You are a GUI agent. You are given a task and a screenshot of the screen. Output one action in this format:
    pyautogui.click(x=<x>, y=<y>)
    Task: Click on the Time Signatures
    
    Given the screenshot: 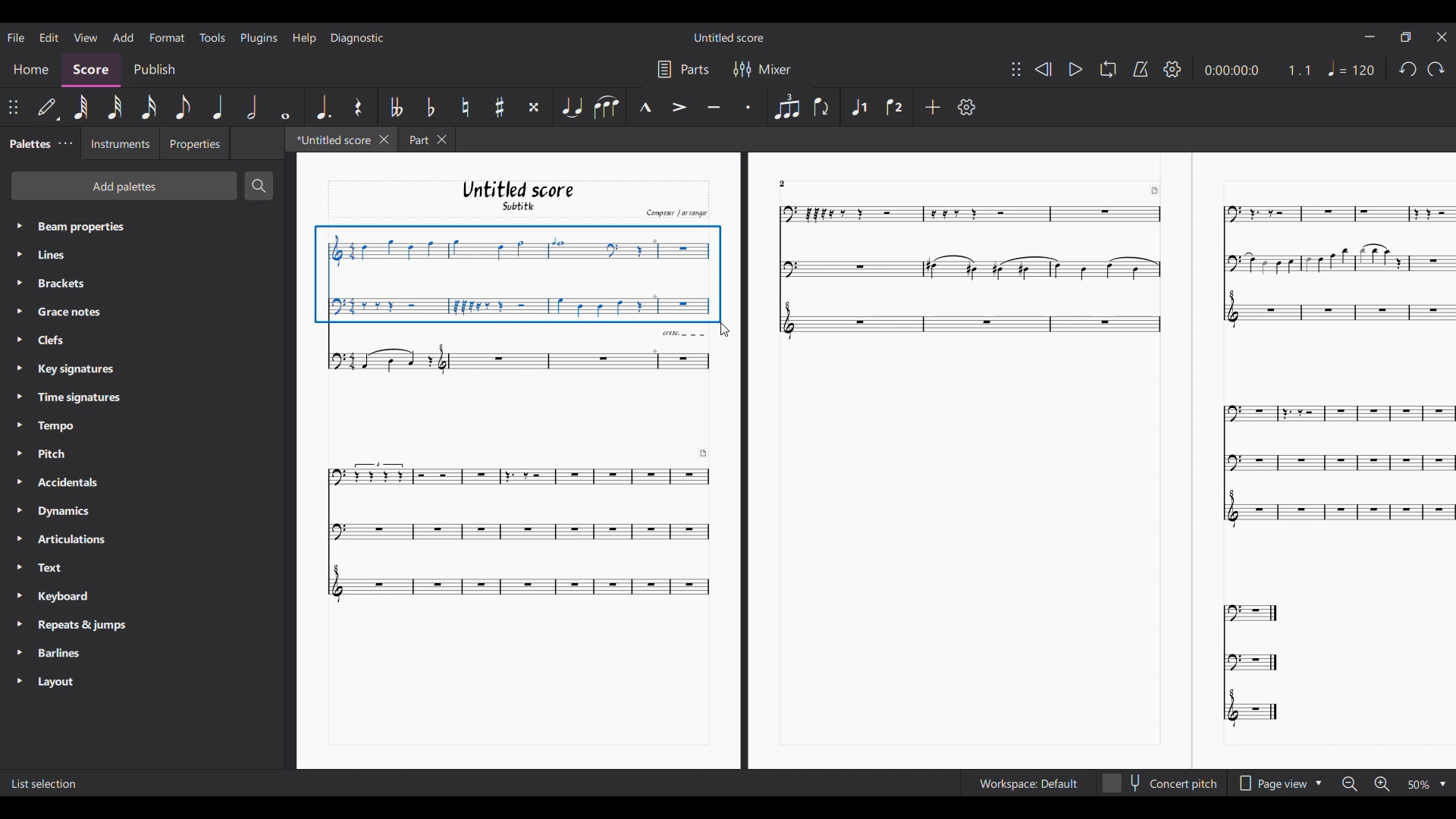 What is the action you would take?
    pyautogui.click(x=79, y=397)
    